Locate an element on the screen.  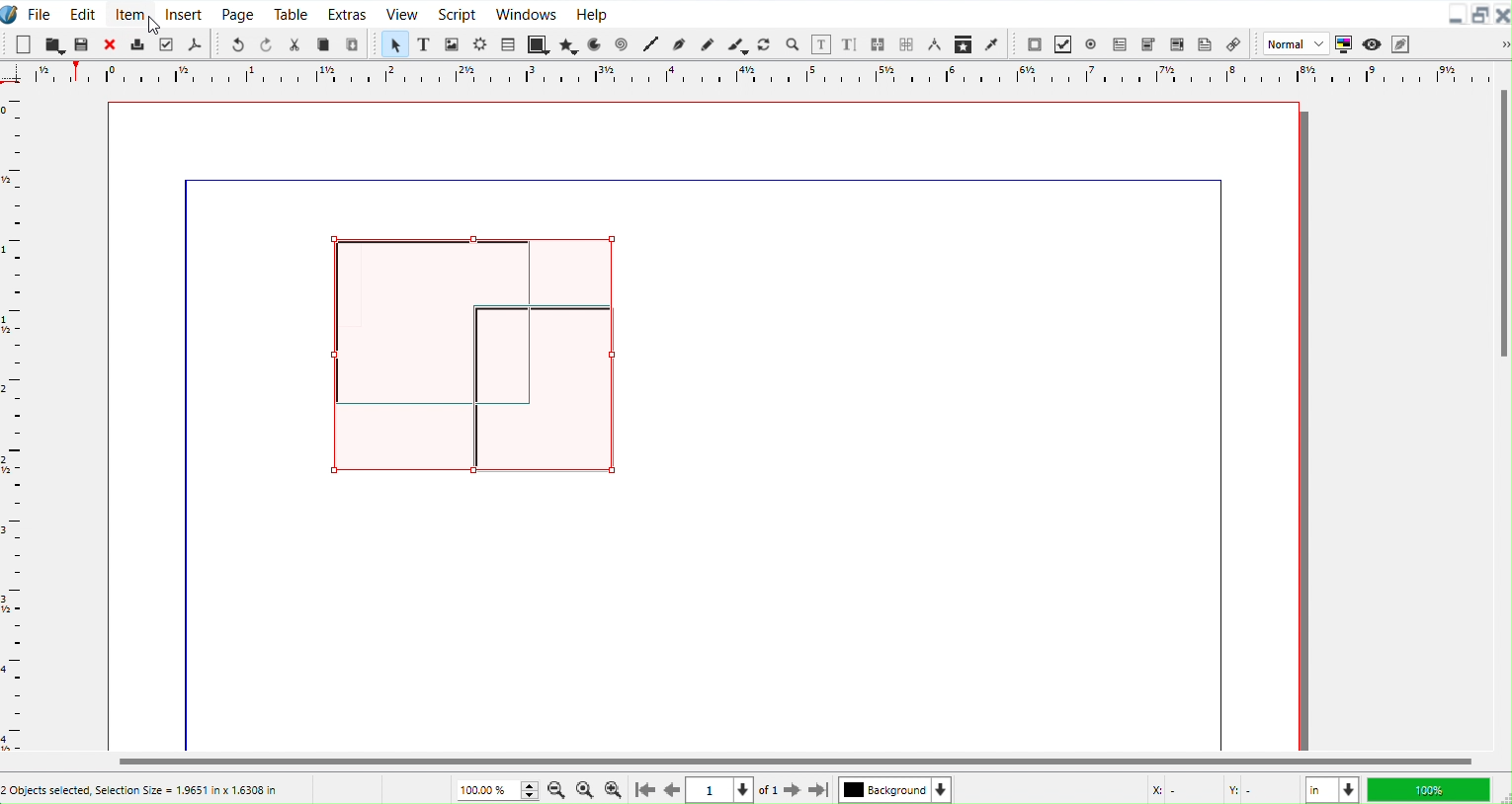
Minimize is located at coordinates (1458, 13).